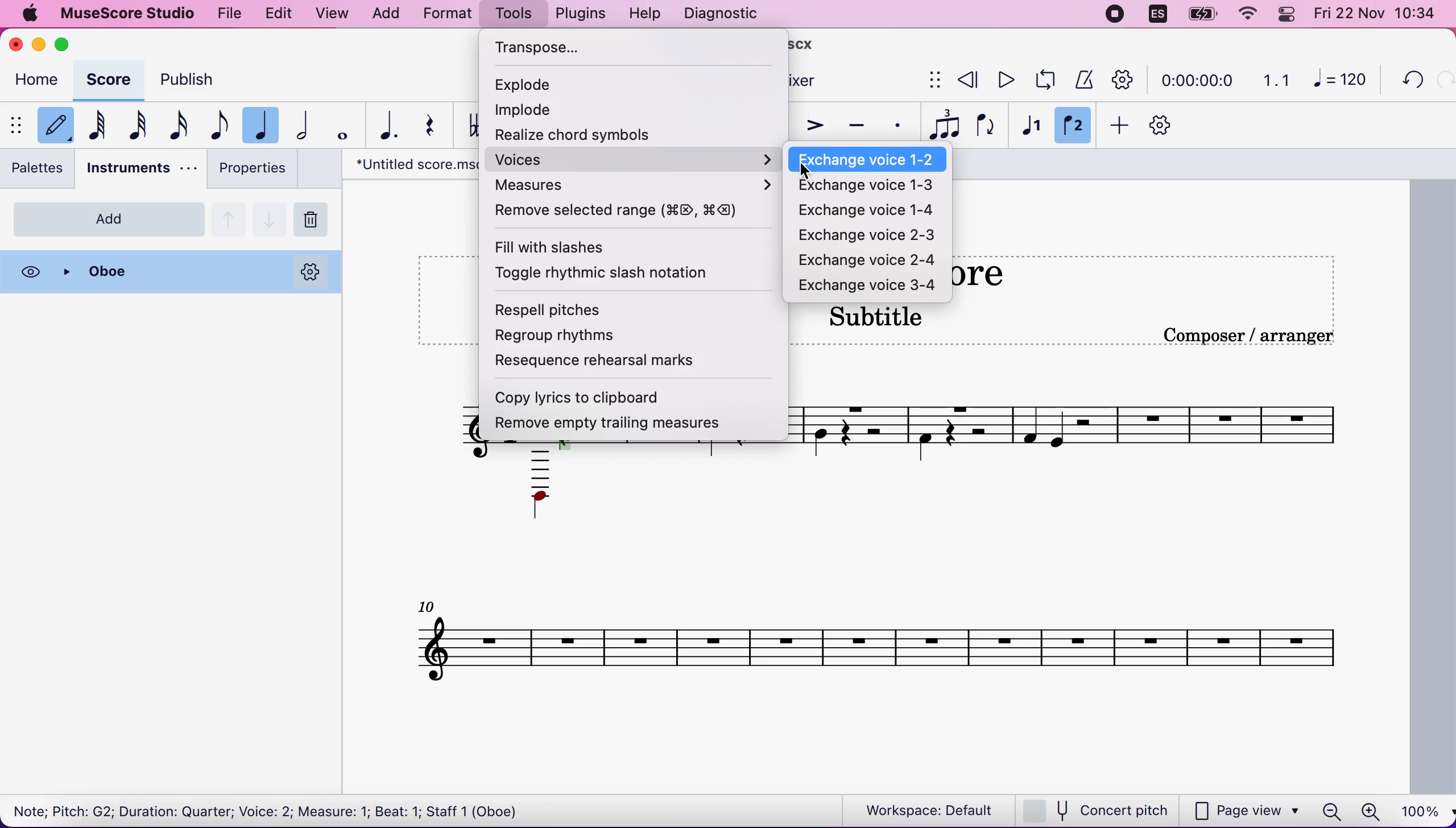 Image resolution: width=1456 pixels, height=828 pixels. Describe the element at coordinates (183, 125) in the screenshot. I see `16th note` at that location.